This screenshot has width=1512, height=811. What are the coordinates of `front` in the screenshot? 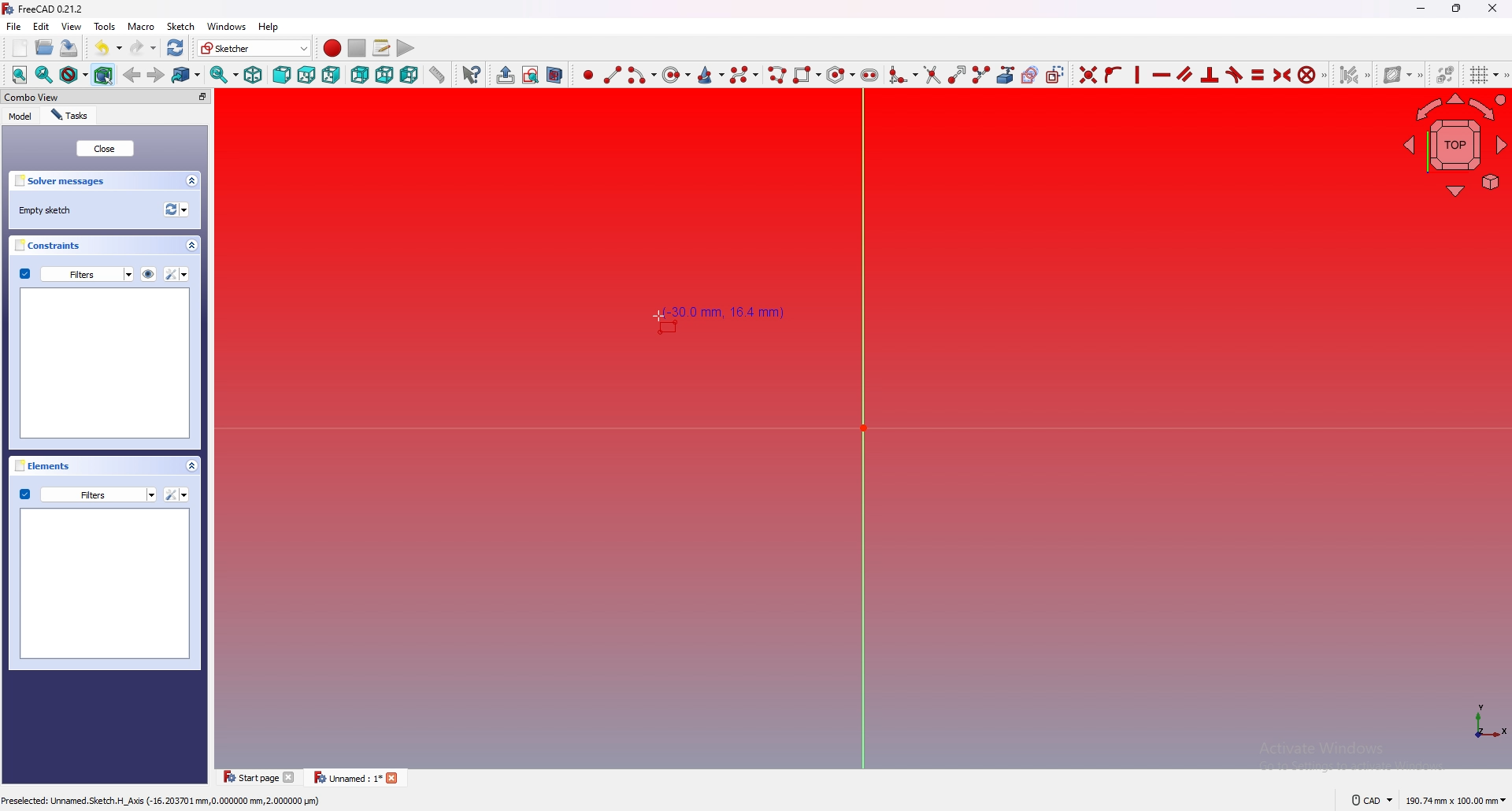 It's located at (282, 75).